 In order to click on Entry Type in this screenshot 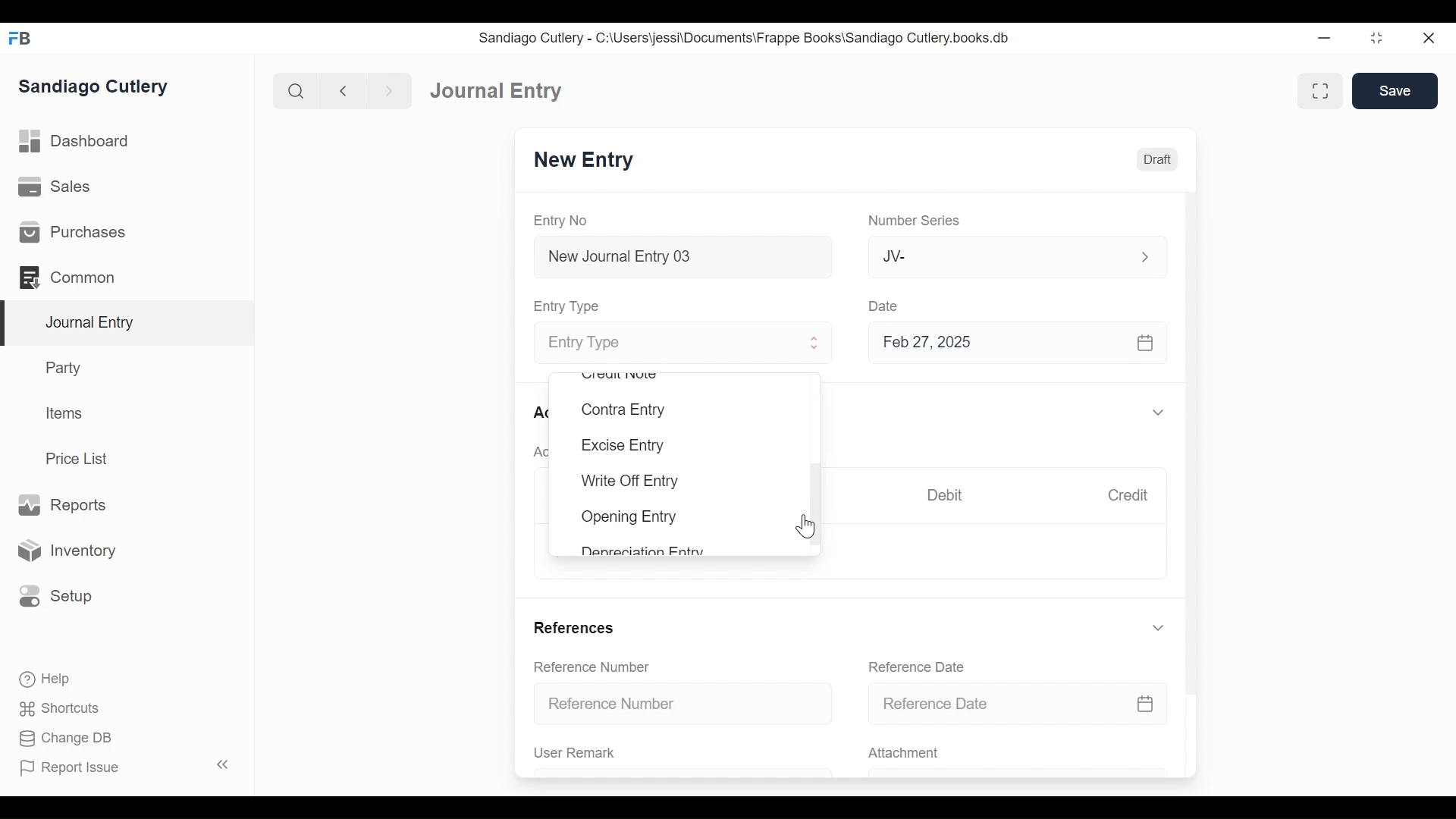, I will do `click(570, 307)`.